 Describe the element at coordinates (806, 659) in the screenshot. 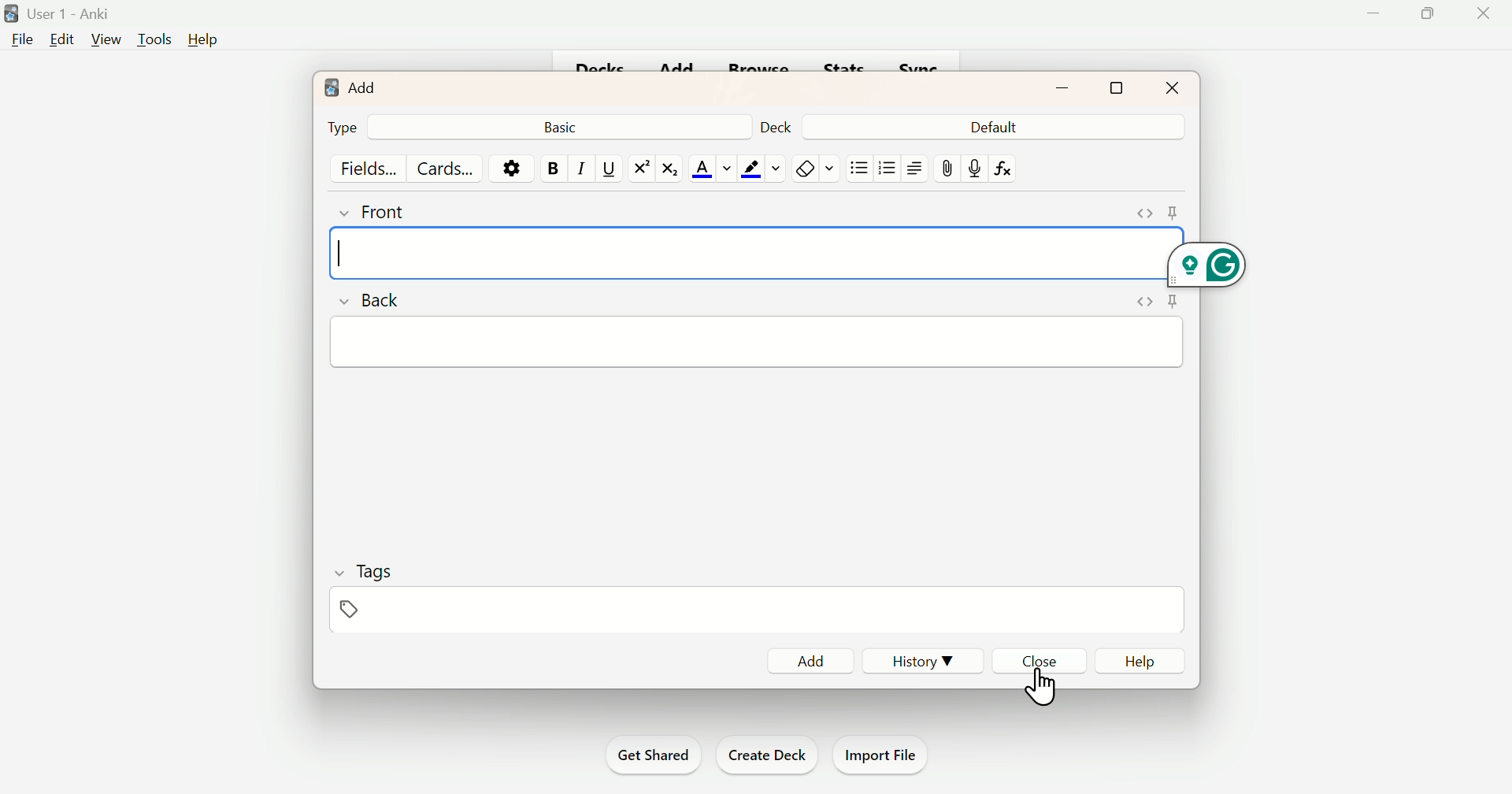

I see `Add` at that location.